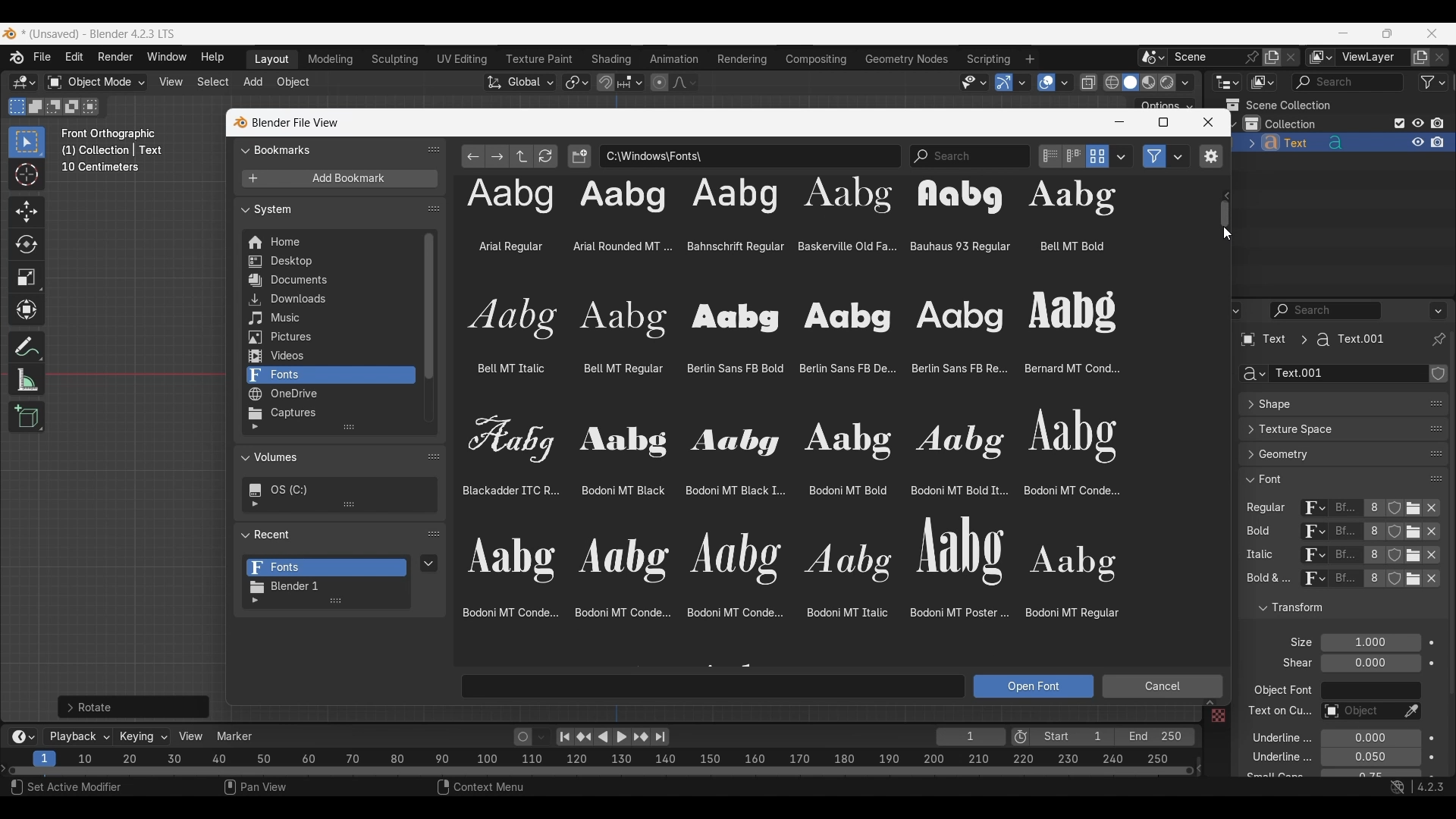 Image resolution: width=1456 pixels, height=819 pixels. What do you see at coordinates (1438, 340) in the screenshot?
I see `Toggle pin ID` at bounding box center [1438, 340].